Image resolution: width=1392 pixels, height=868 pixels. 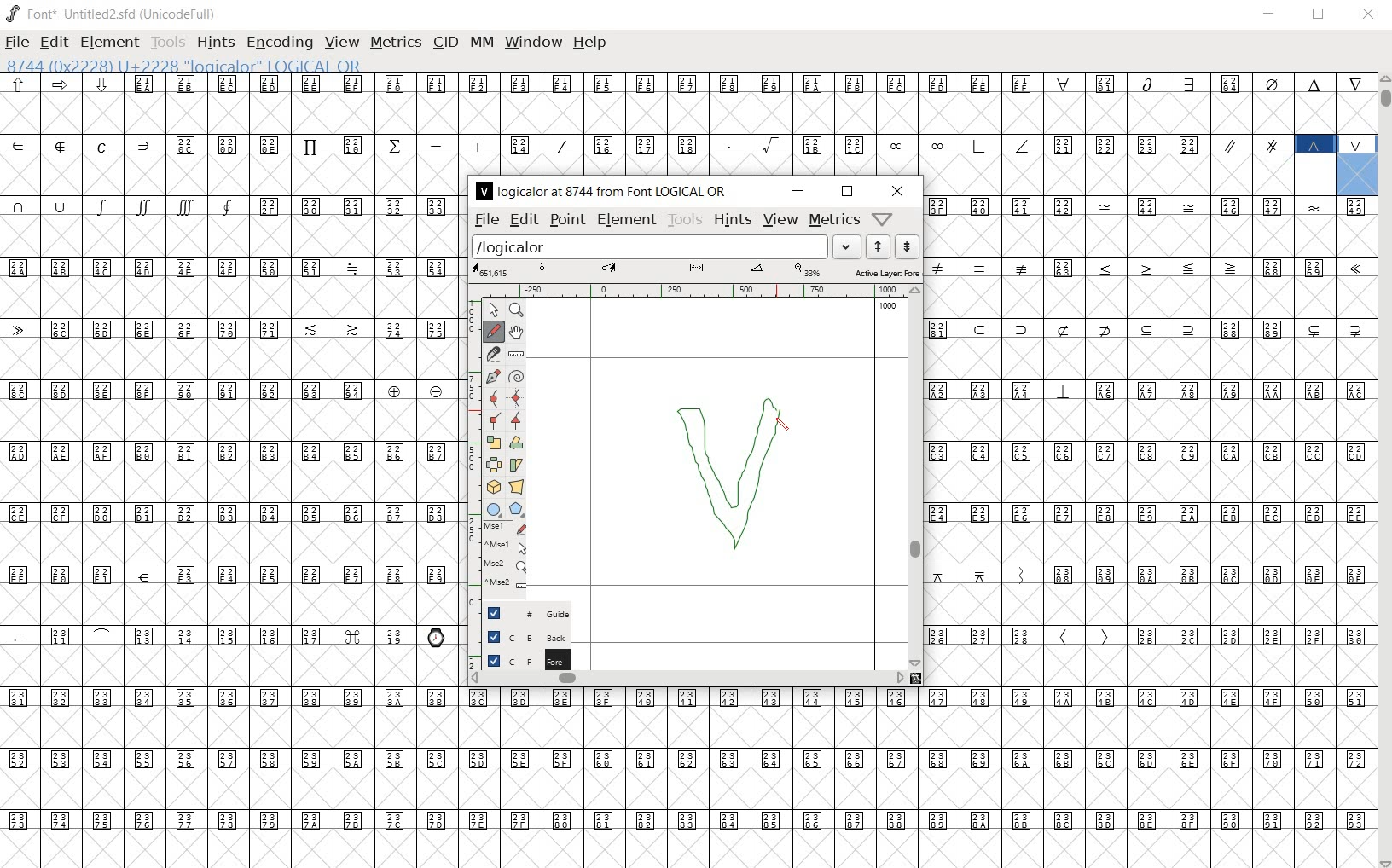 What do you see at coordinates (167, 43) in the screenshot?
I see `tools` at bounding box center [167, 43].